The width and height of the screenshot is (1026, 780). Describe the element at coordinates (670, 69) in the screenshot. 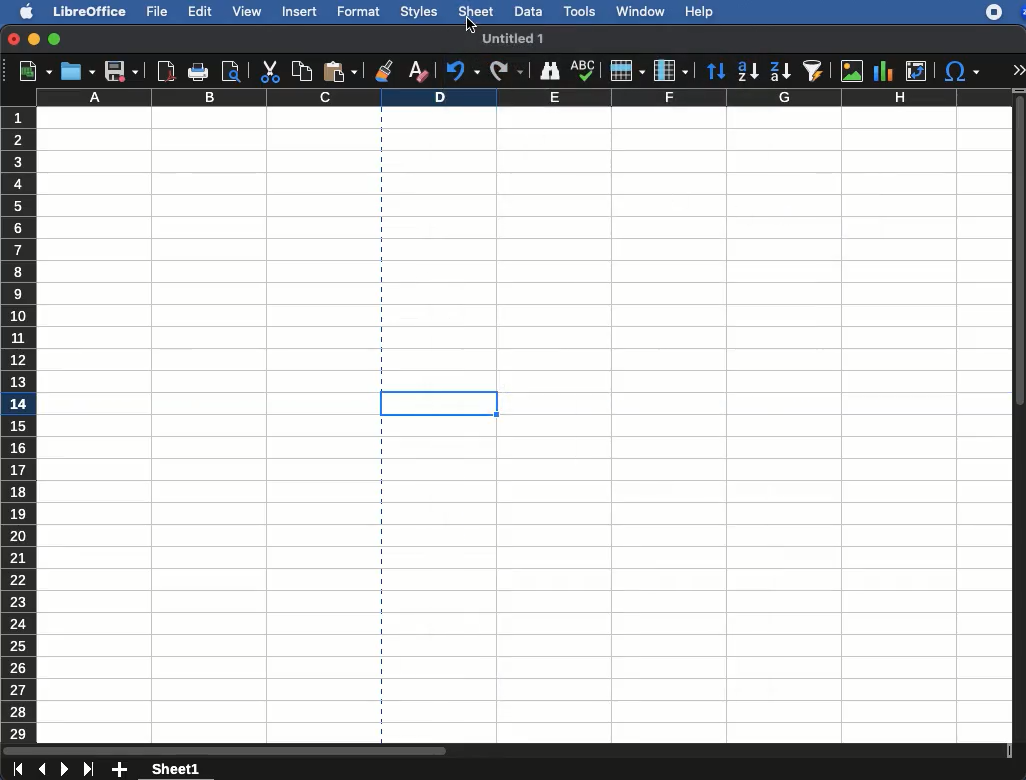

I see `column` at that location.